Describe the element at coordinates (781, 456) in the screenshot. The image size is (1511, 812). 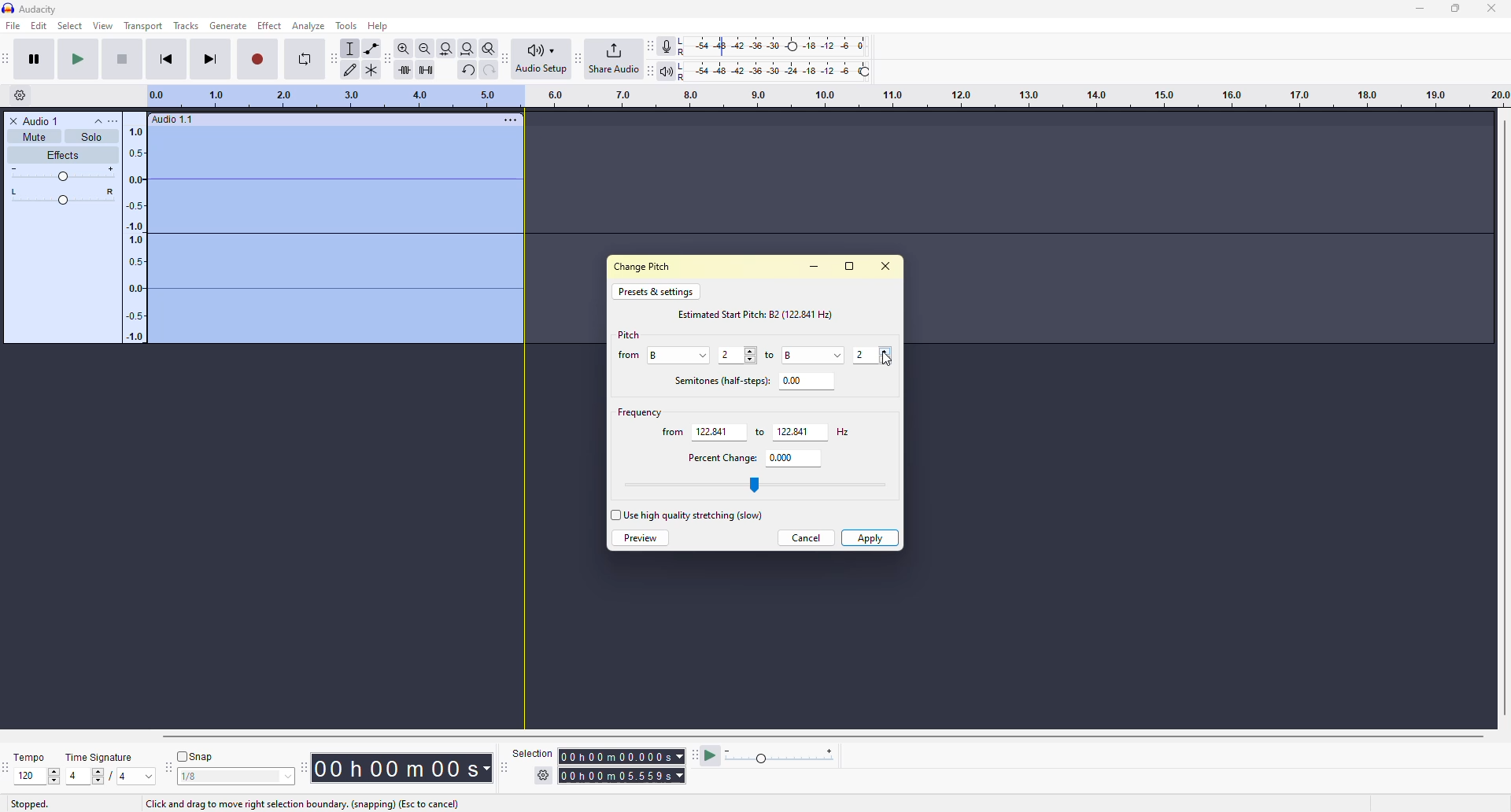
I see `value` at that location.